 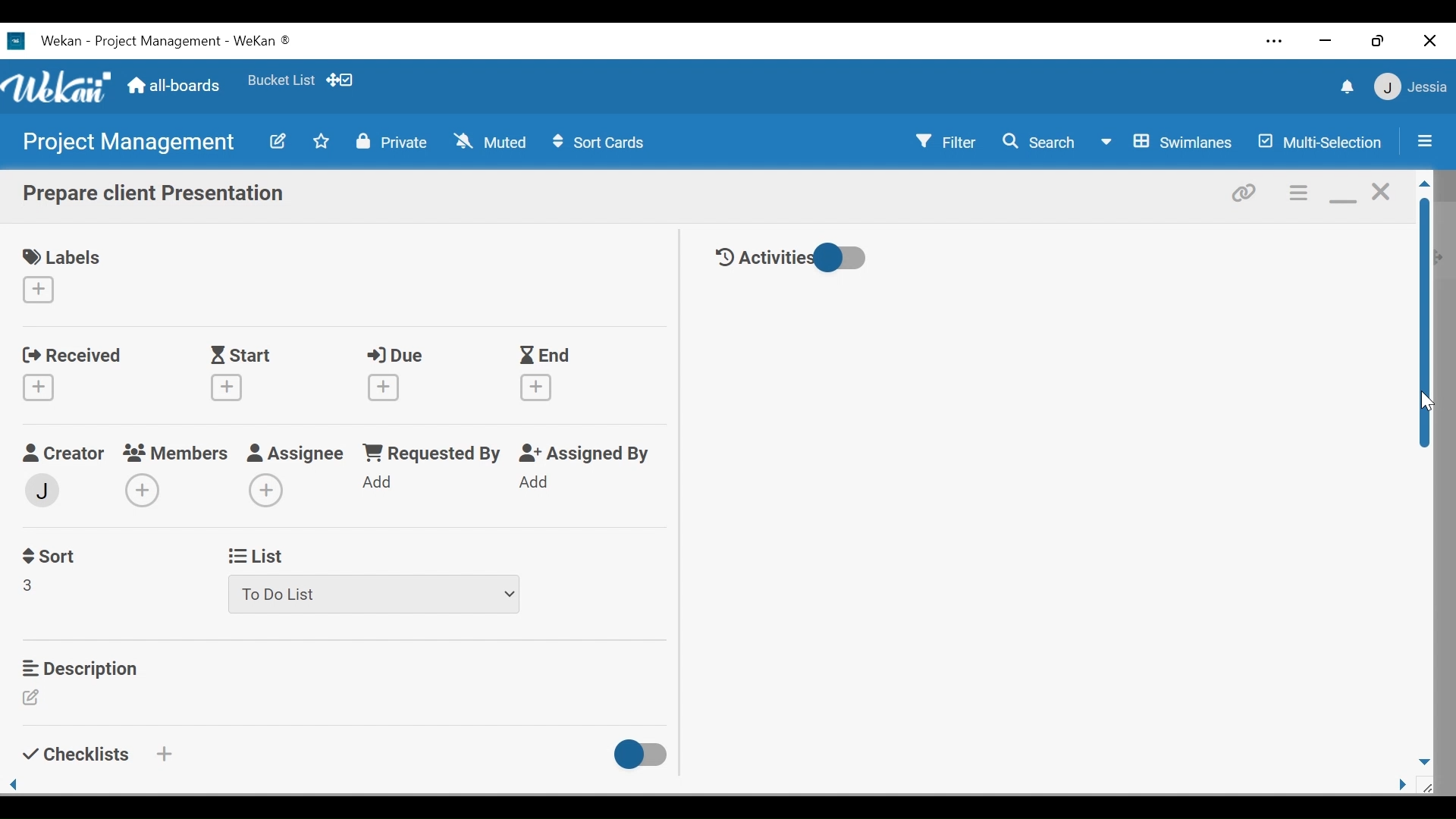 What do you see at coordinates (538, 387) in the screenshot?
I see `Create End date` at bounding box center [538, 387].